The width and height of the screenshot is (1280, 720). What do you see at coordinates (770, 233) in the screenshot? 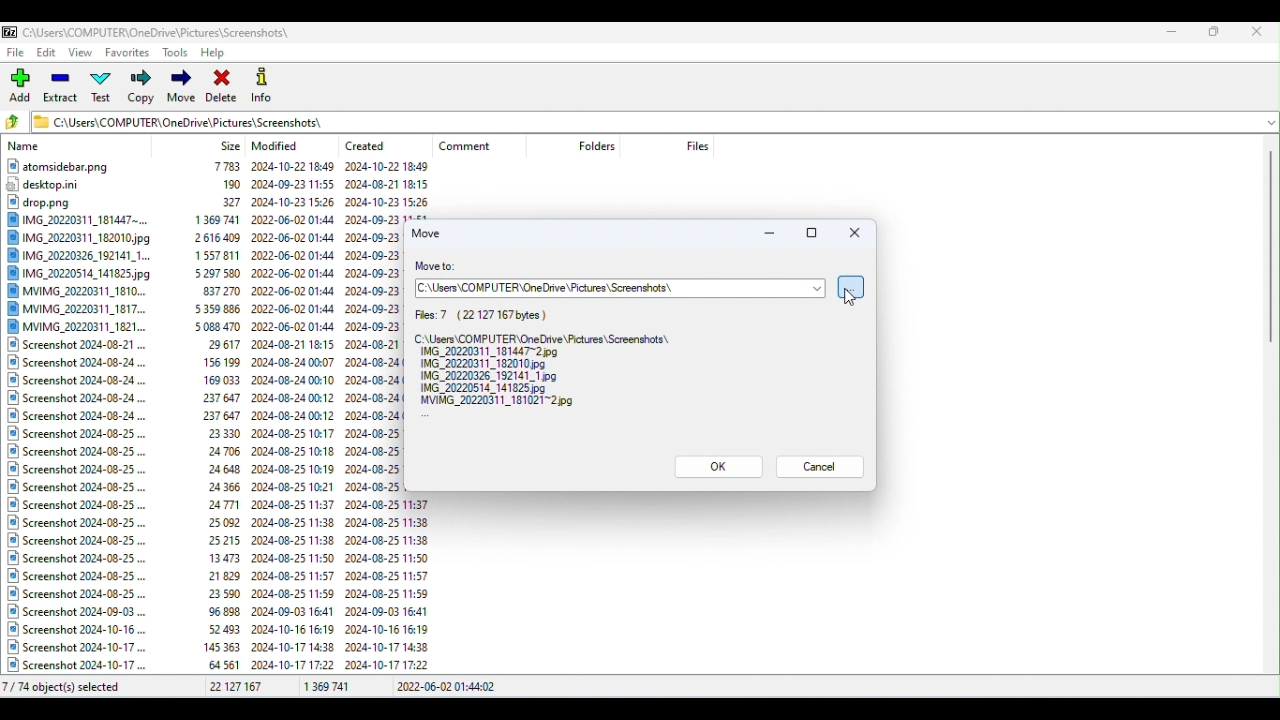
I see `Minimize` at bounding box center [770, 233].